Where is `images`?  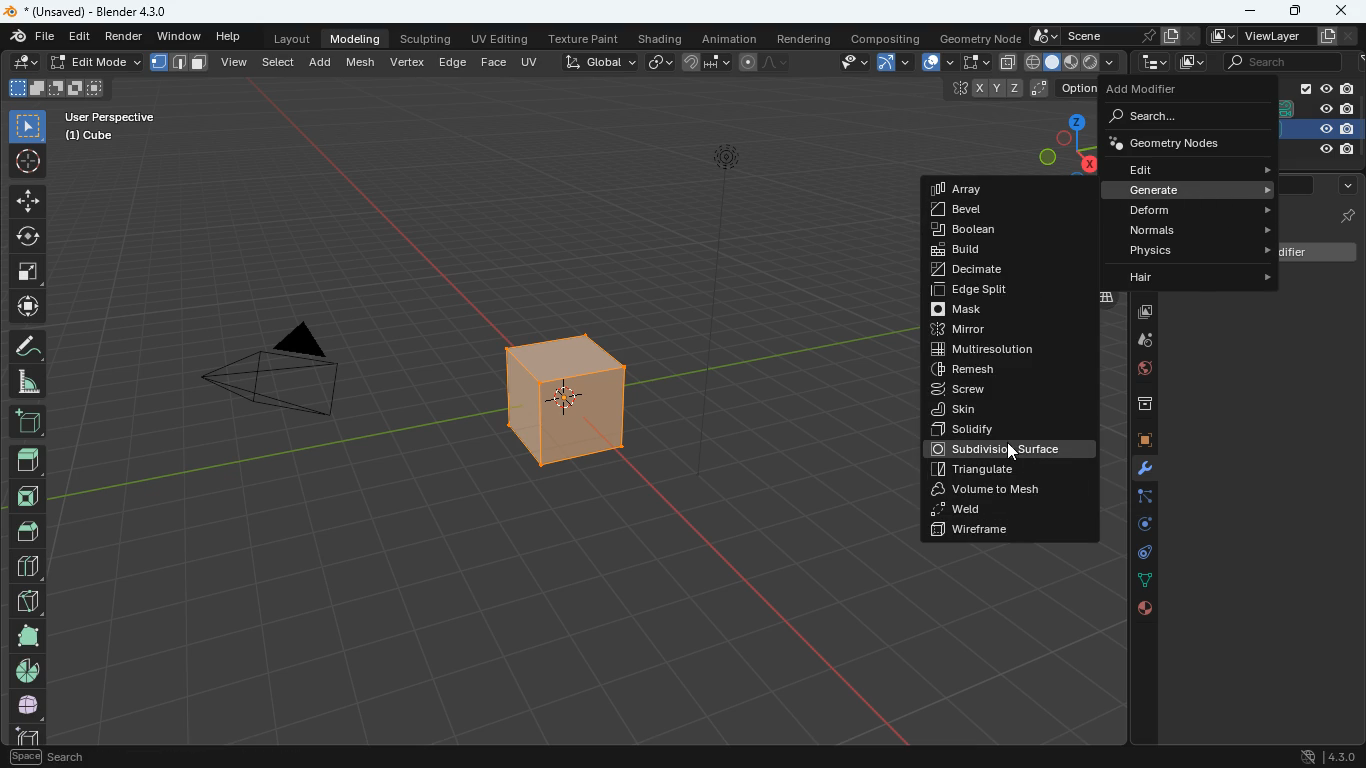
images is located at coordinates (1191, 61).